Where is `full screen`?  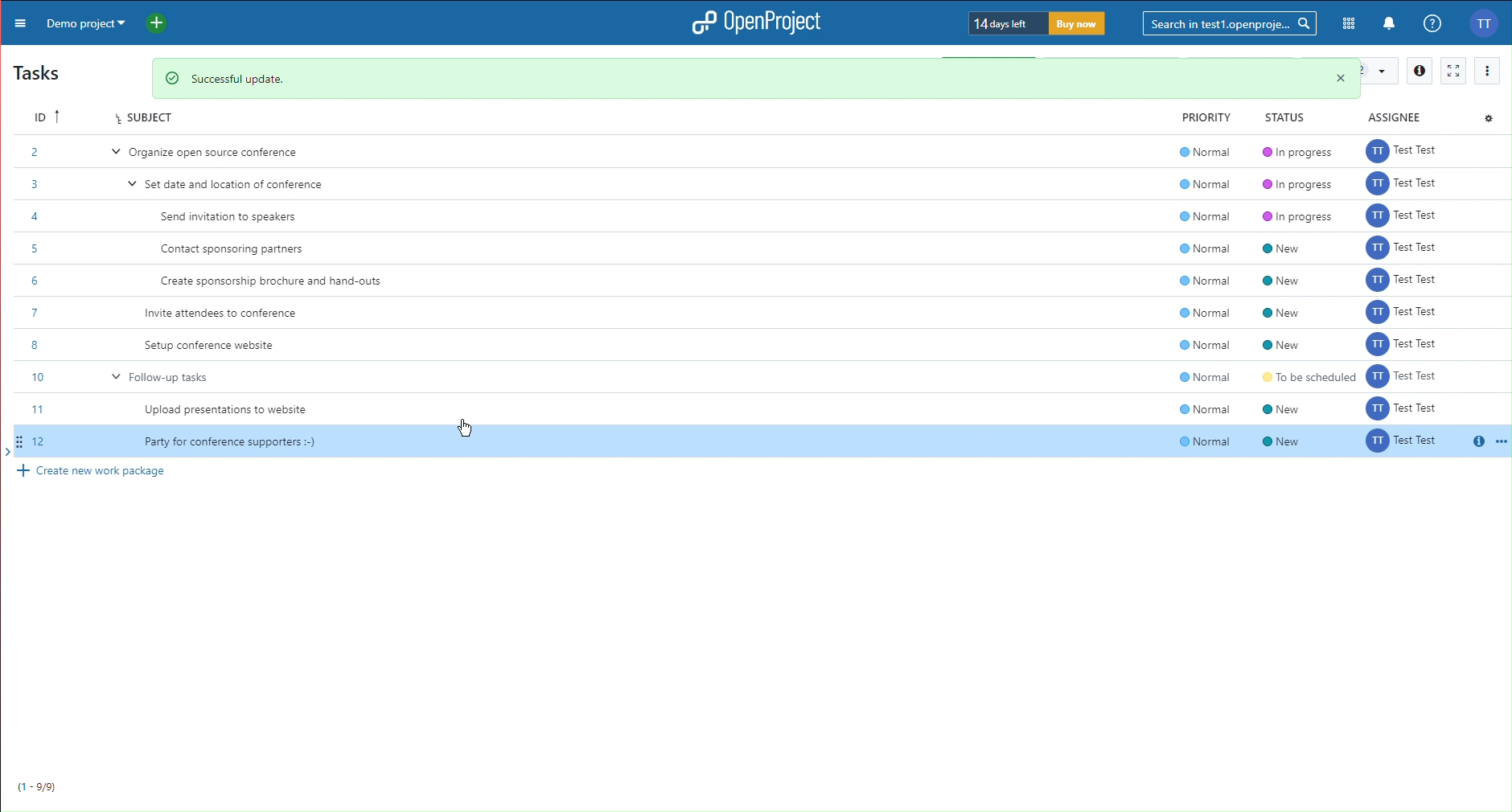 full screen is located at coordinates (1453, 69).